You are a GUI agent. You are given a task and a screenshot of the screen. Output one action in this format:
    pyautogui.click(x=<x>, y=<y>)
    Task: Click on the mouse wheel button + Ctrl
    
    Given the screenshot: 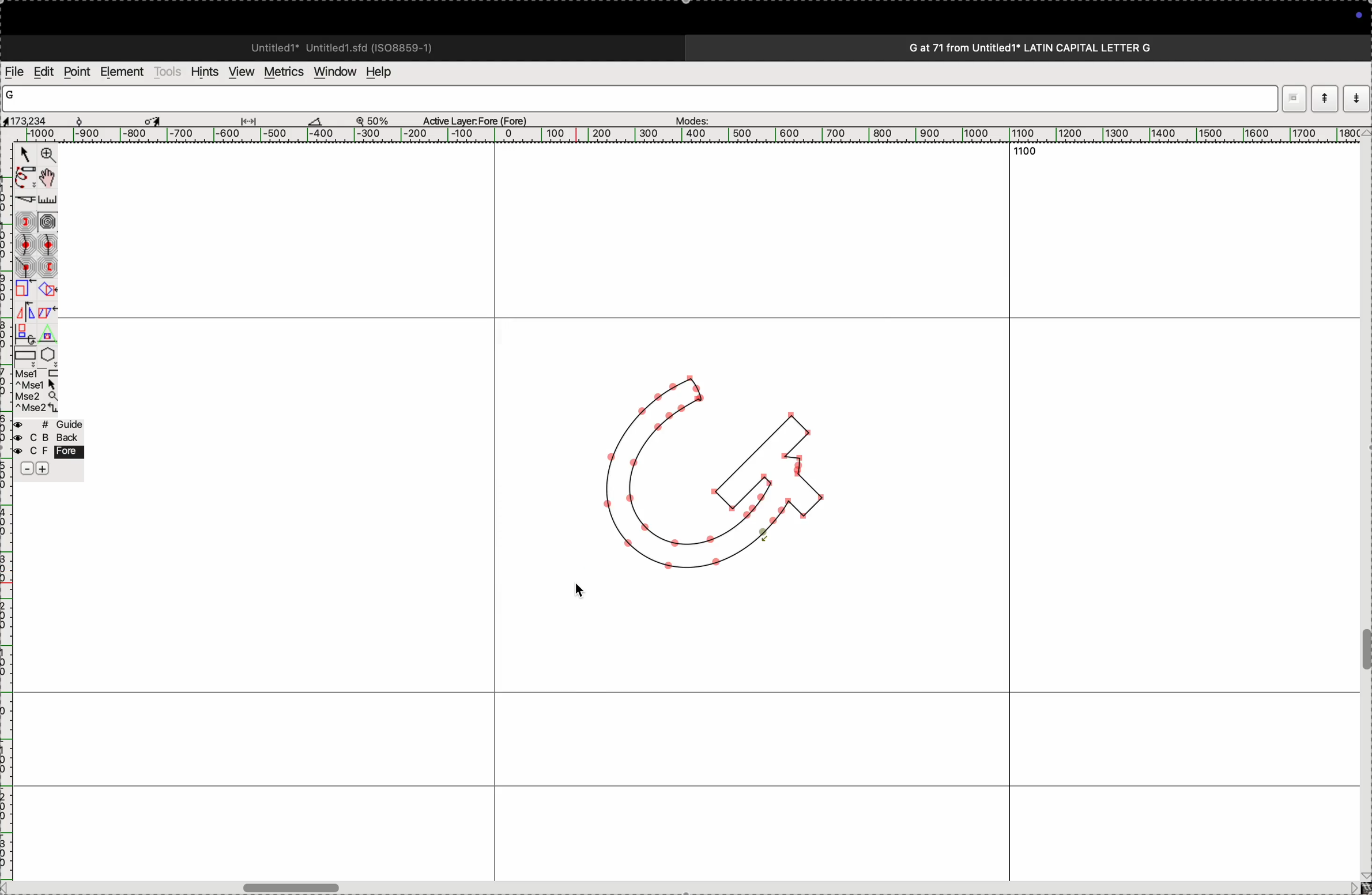 What is the action you would take?
    pyautogui.click(x=37, y=409)
    